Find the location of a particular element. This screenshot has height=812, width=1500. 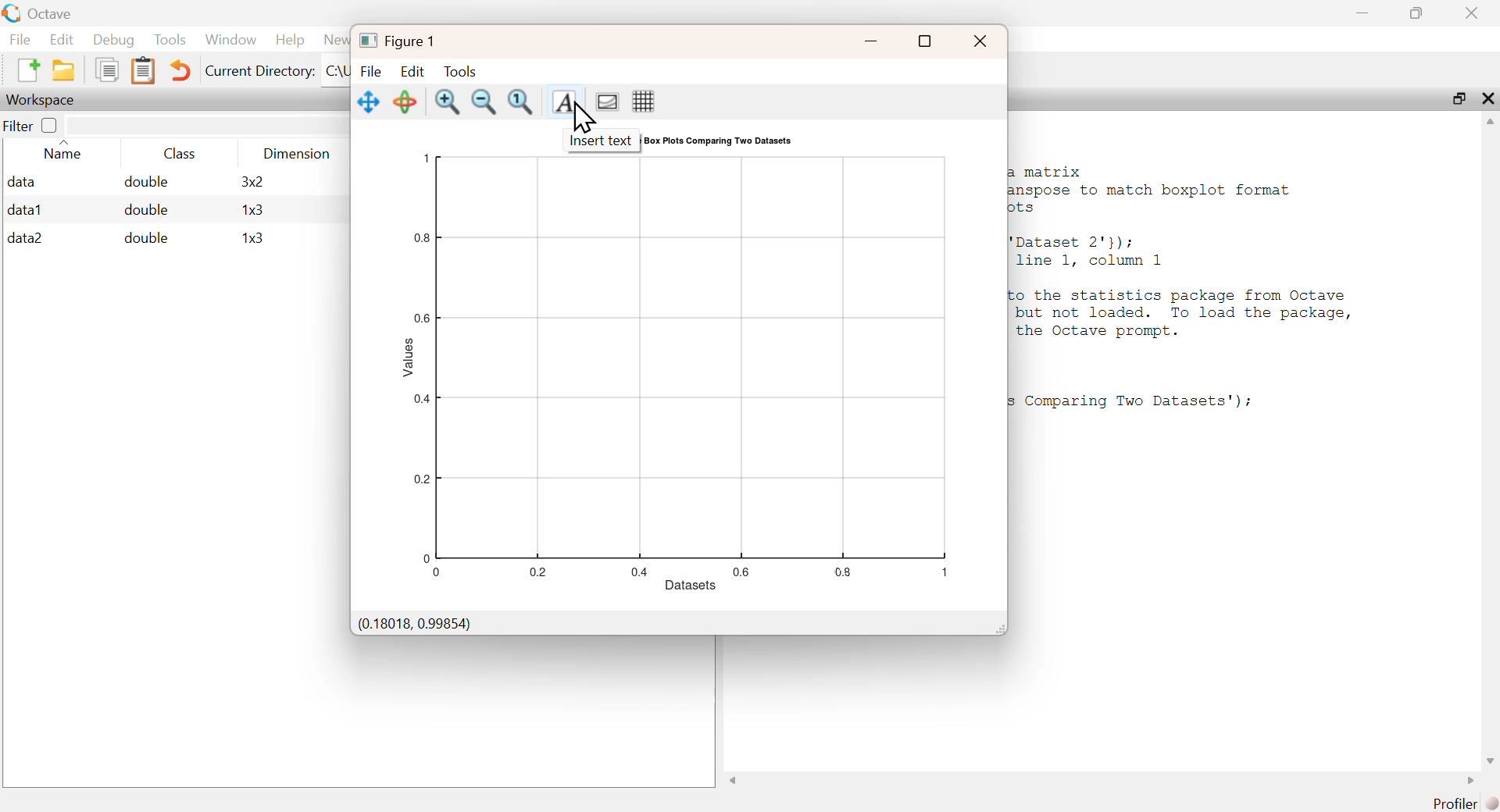

Window is located at coordinates (230, 40).